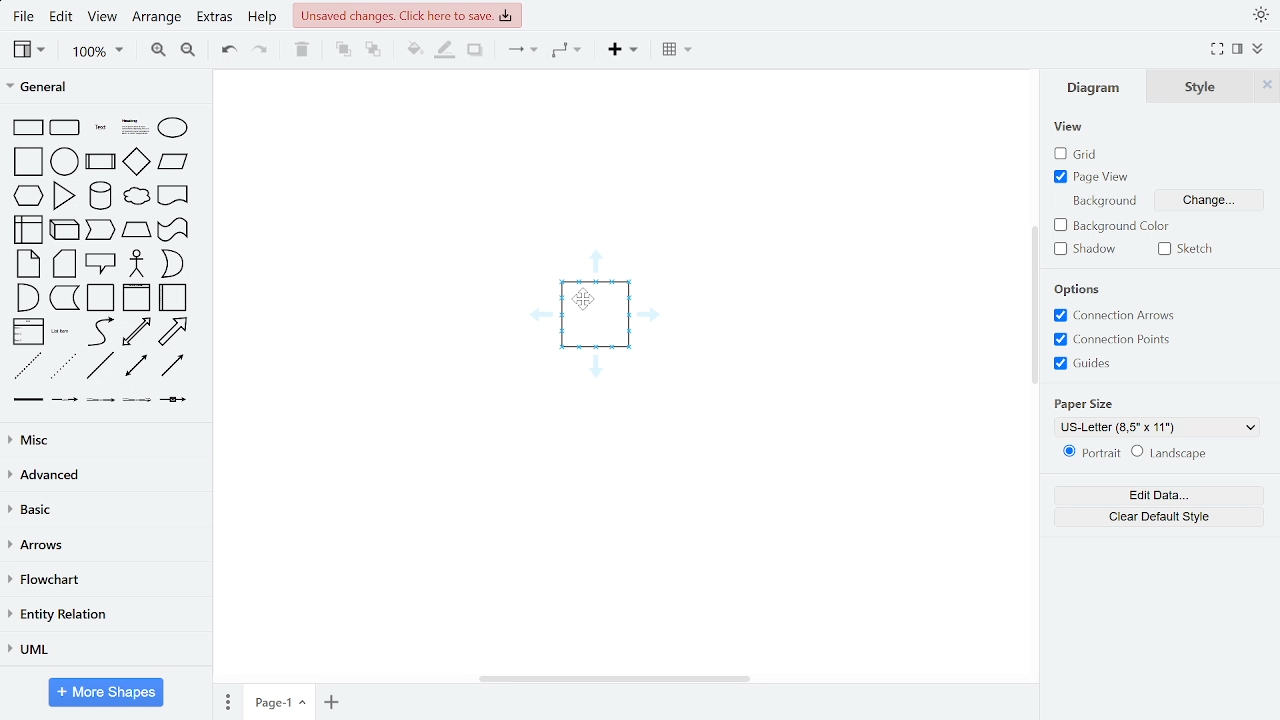  Describe the element at coordinates (1090, 250) in the screenshot. I see `shadow` at that location.